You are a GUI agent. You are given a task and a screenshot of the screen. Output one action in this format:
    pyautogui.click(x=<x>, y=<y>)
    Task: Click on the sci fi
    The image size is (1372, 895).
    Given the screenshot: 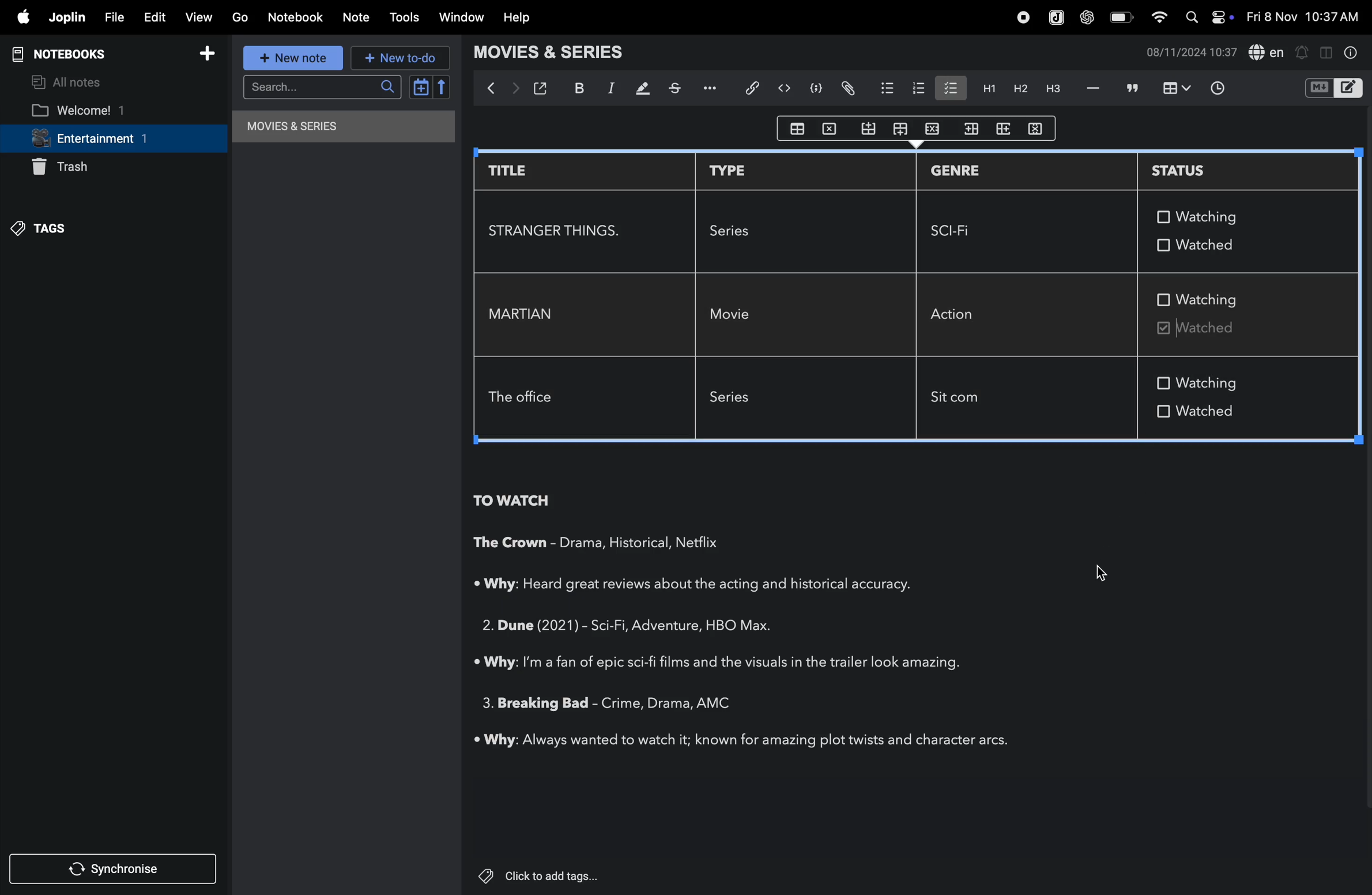 What is the action you would take?
    pyautogui.click(x=958, y=231)
    